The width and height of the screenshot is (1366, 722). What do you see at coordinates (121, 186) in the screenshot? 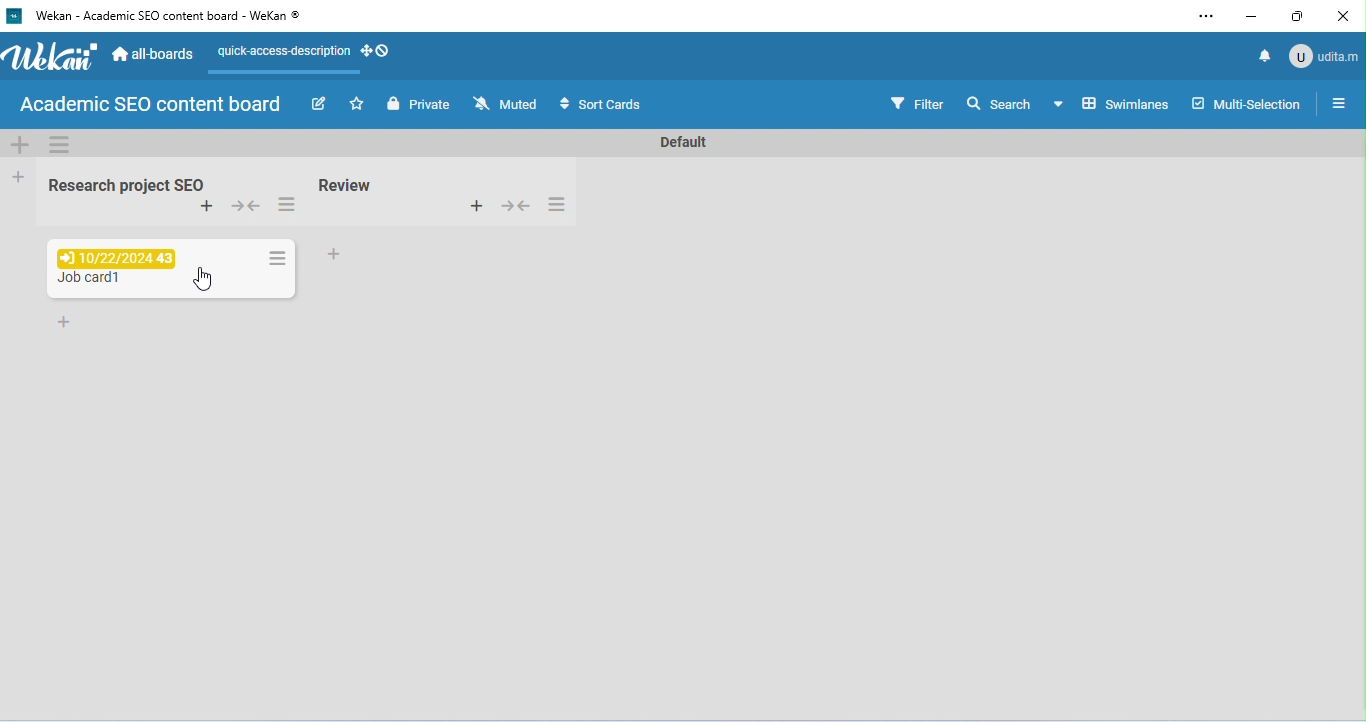
I see `list name: research project SEO` at bounding box center [121, 186].